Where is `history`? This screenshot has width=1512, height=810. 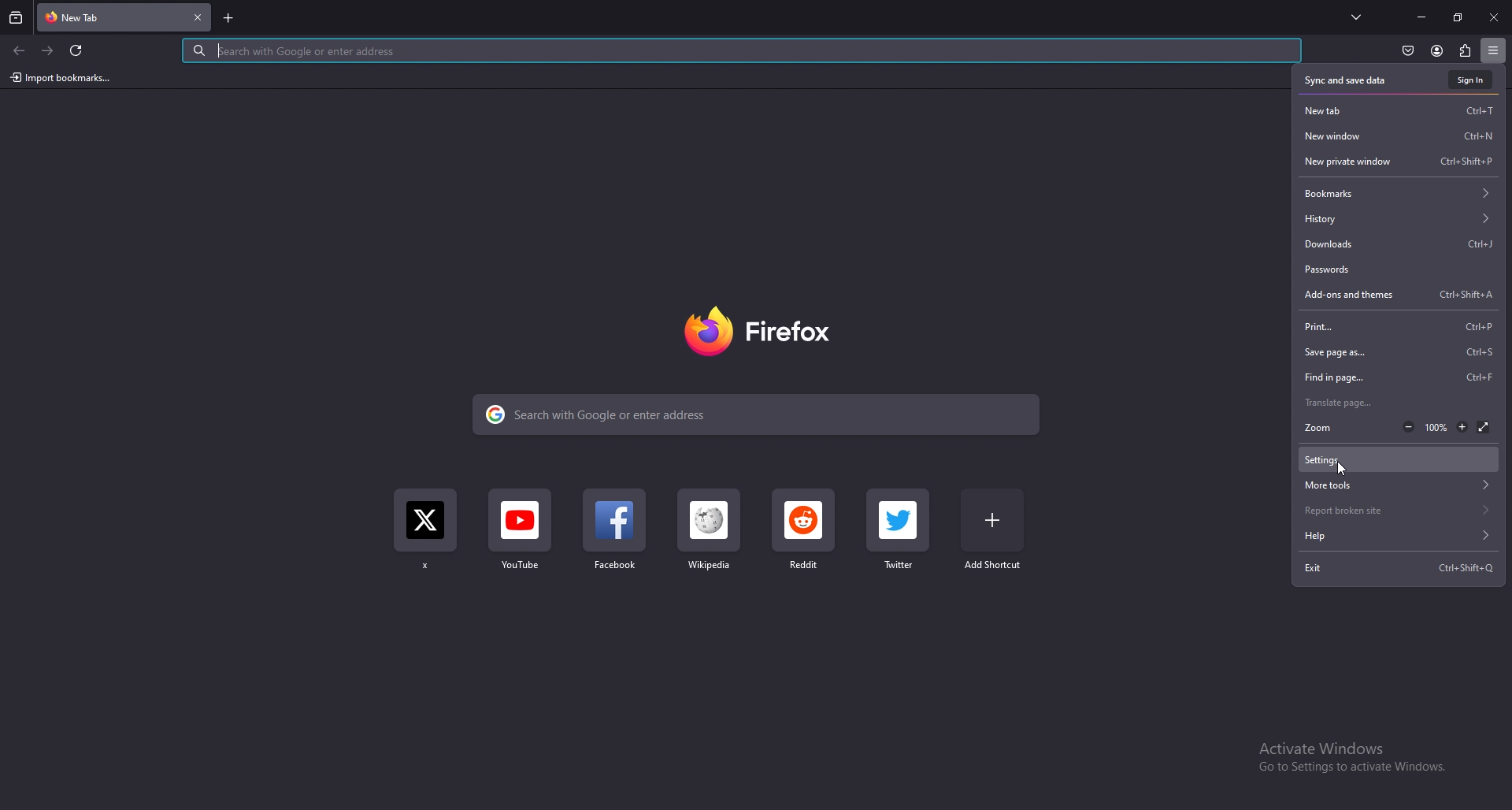 history is located at coordinates (1398, 220).